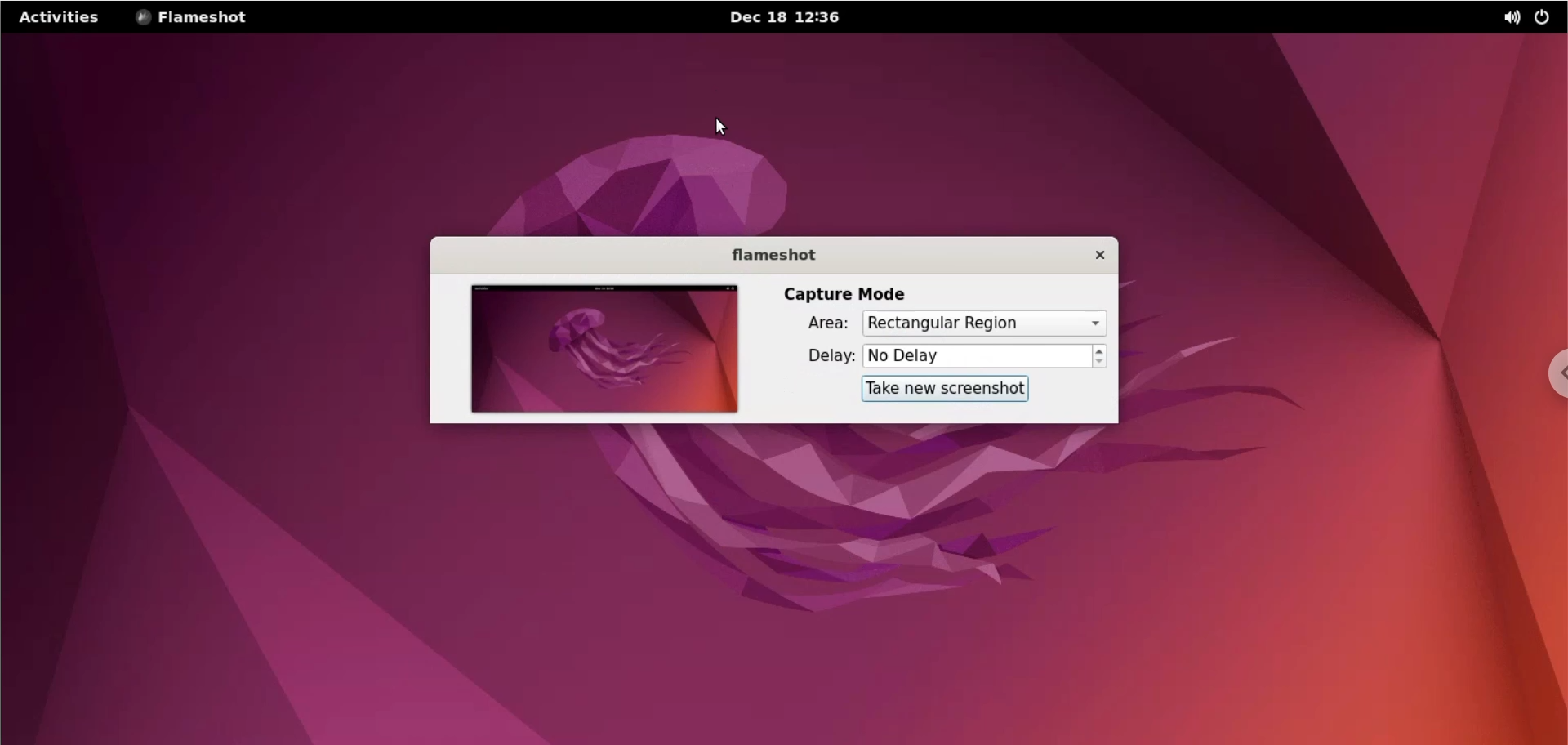 The image size is (1568, 745). What do you see at coordinates (983, 323) in the screenshot?
I see `area options` at bounding box center [983, 323].